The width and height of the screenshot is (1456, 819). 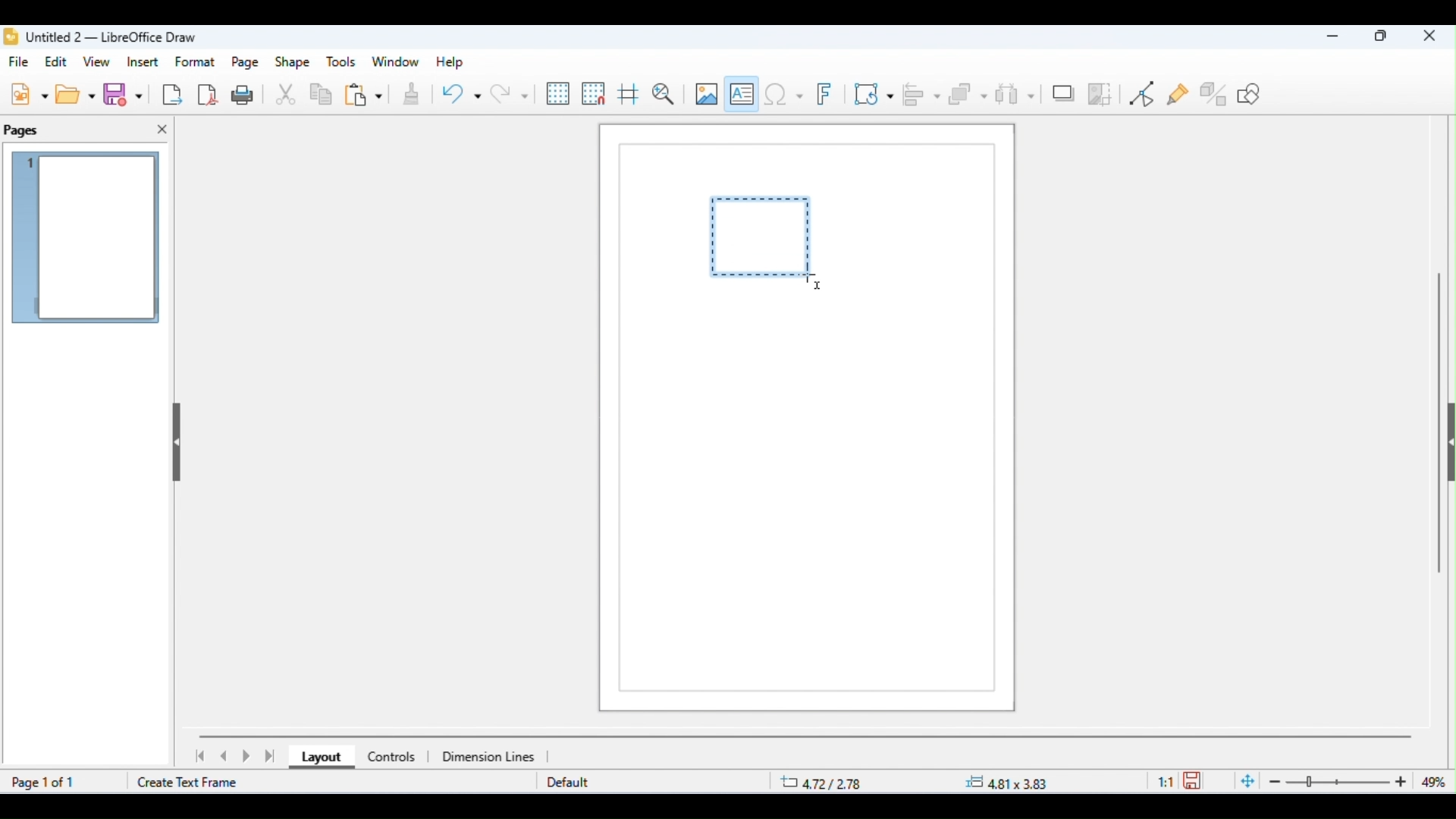 What do you see at coordinates (1063, 92) in the screenshot?
I see `shadow` at bounding box center [1063, 92].